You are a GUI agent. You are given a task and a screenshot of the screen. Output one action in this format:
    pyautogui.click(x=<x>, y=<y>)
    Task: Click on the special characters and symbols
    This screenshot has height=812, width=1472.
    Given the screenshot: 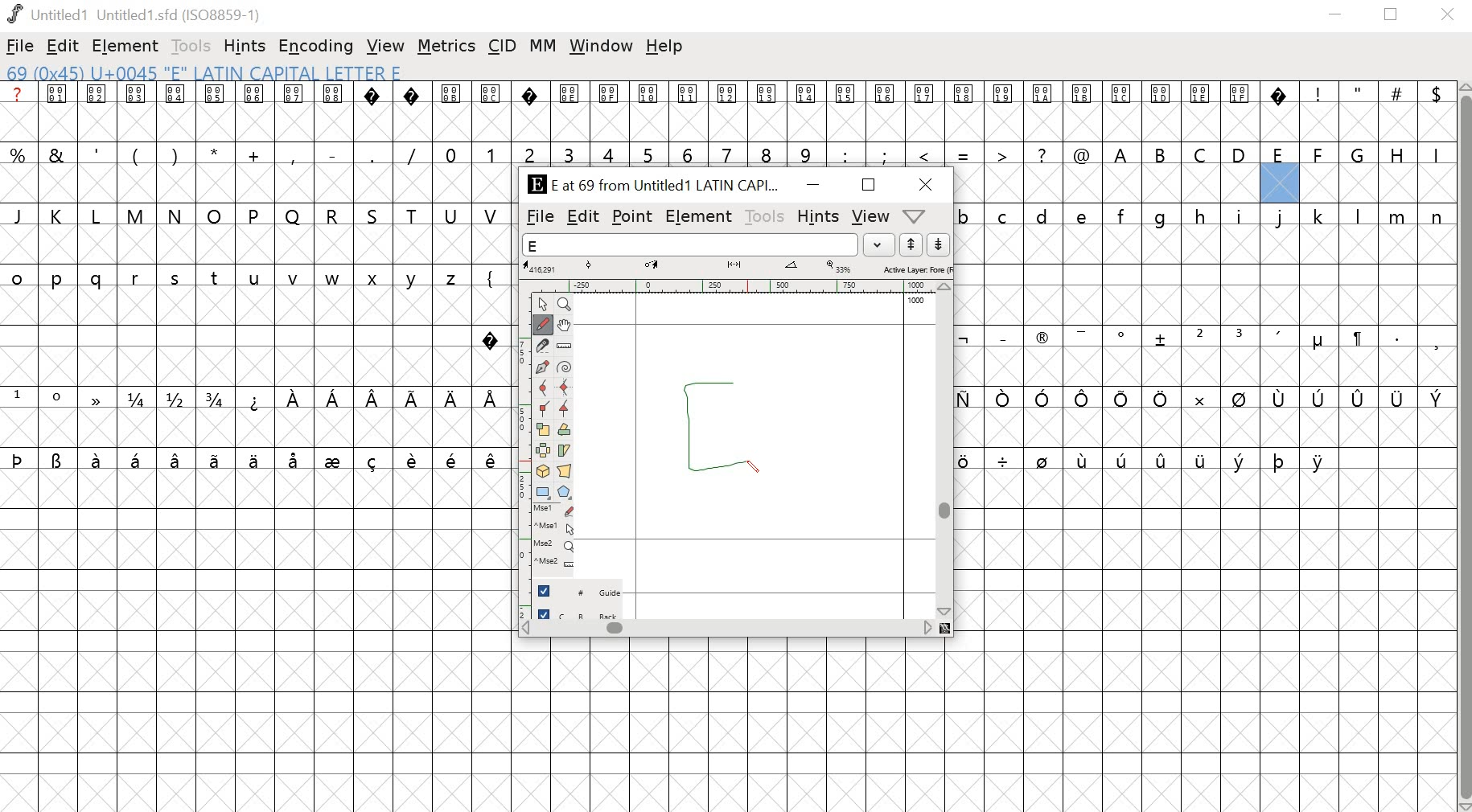 What is the action you would take?
    pyautogui.click(x=727, y=95)
    